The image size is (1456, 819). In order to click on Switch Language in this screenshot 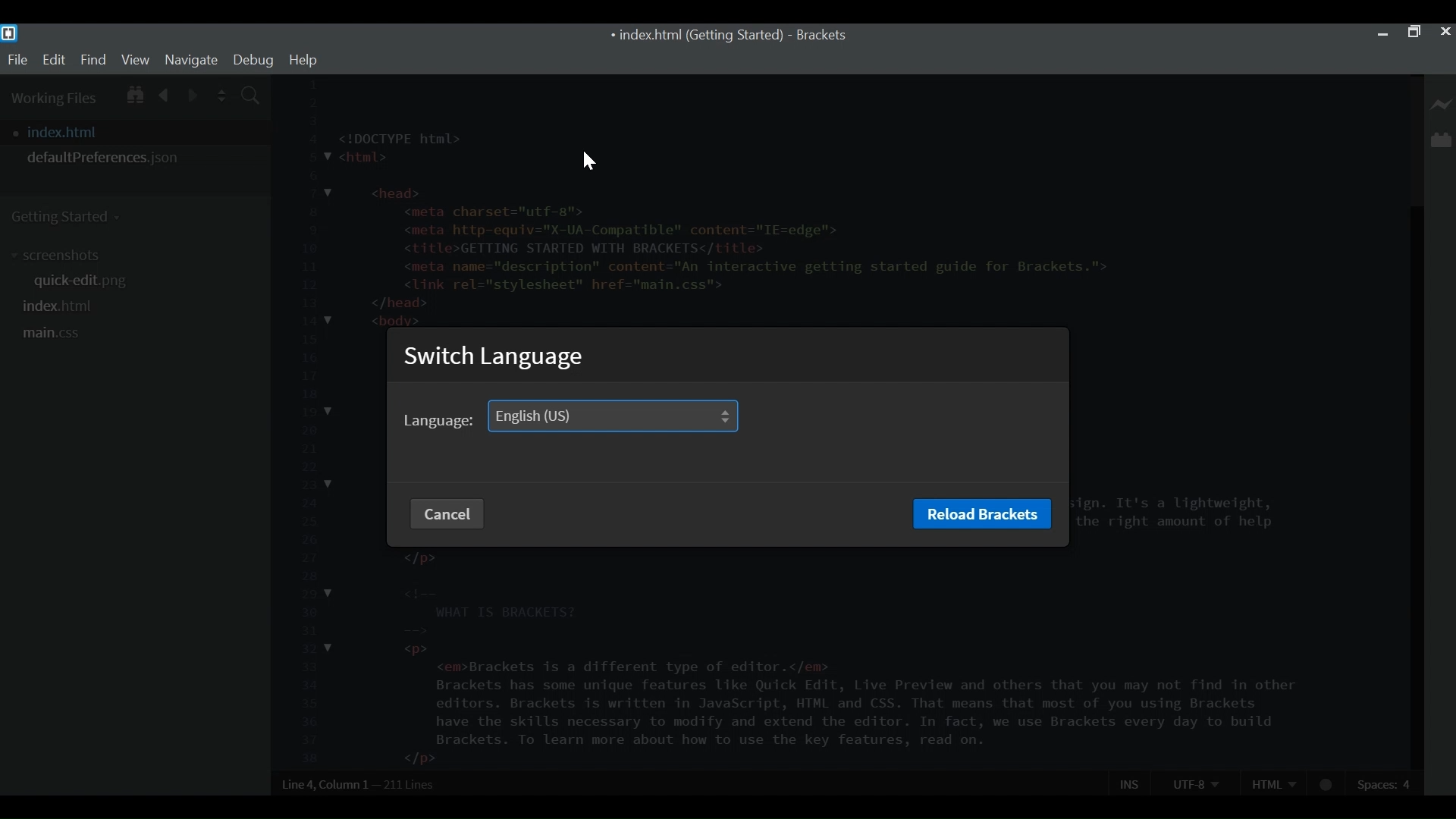, I will do `click(498, 359)`.